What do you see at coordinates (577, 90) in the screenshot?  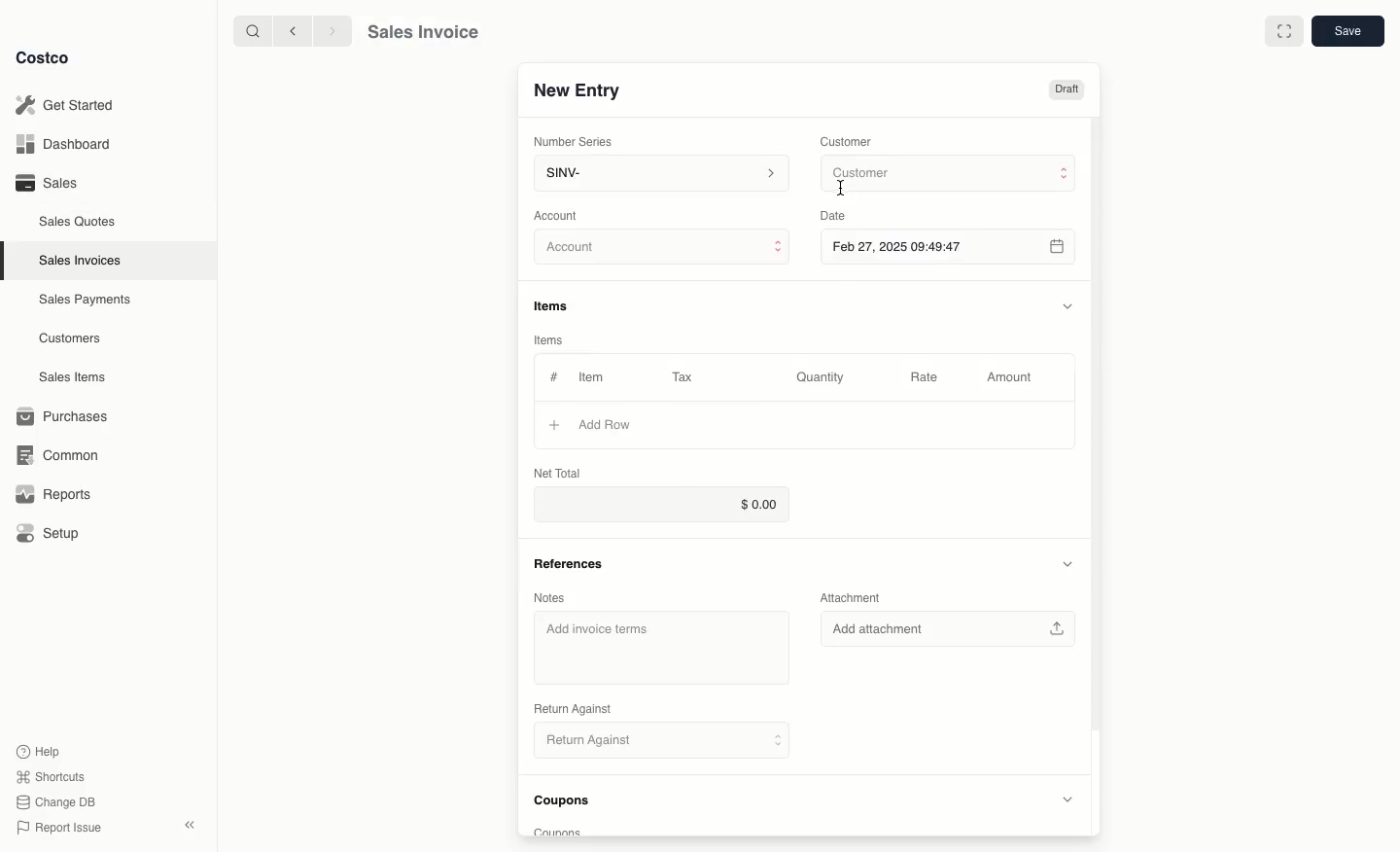 I see `New Entry` at bounding box center [577, 90].